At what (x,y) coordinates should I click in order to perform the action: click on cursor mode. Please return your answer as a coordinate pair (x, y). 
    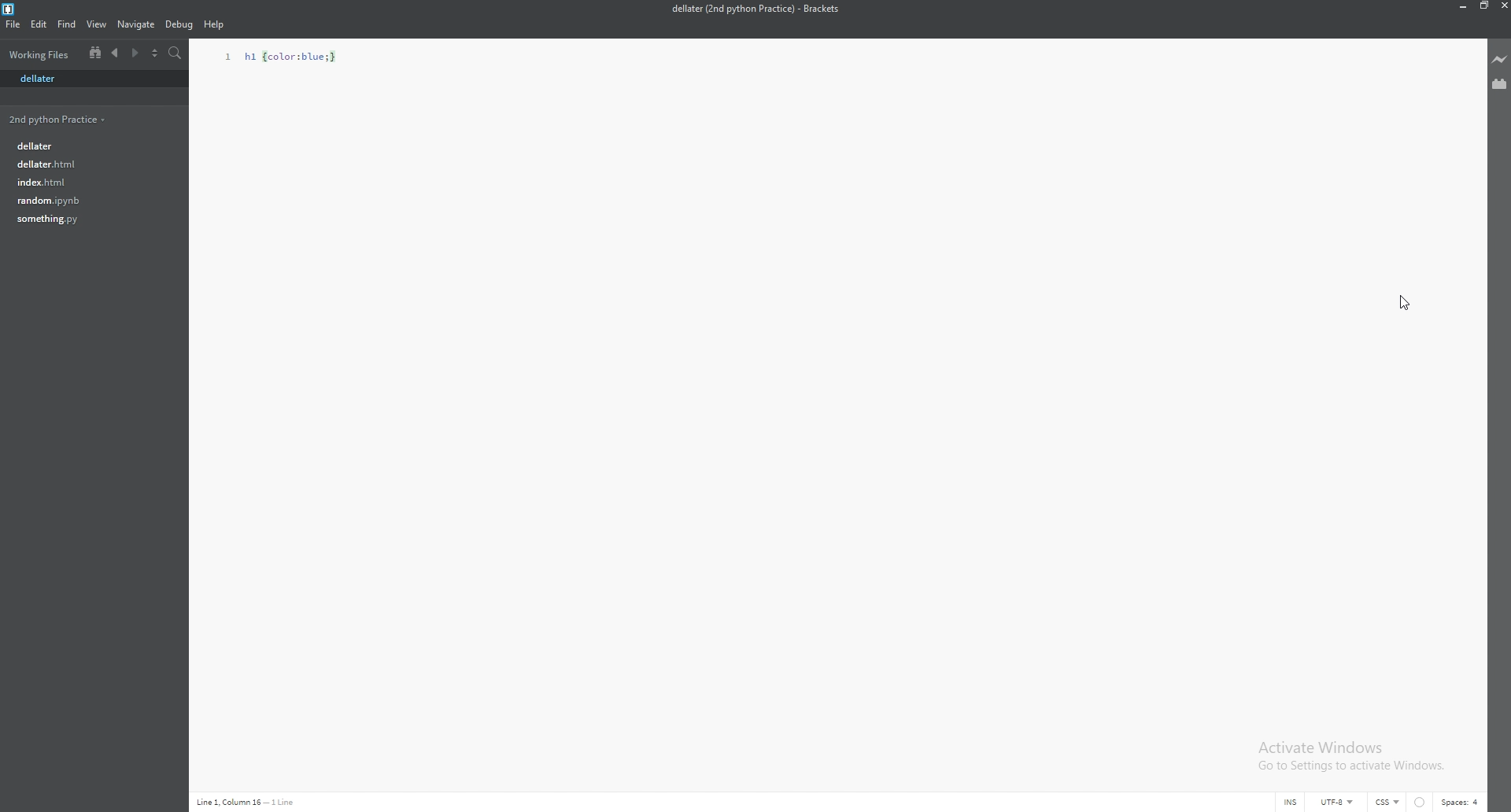
    Looking at the image, I should click on (1276, 803).